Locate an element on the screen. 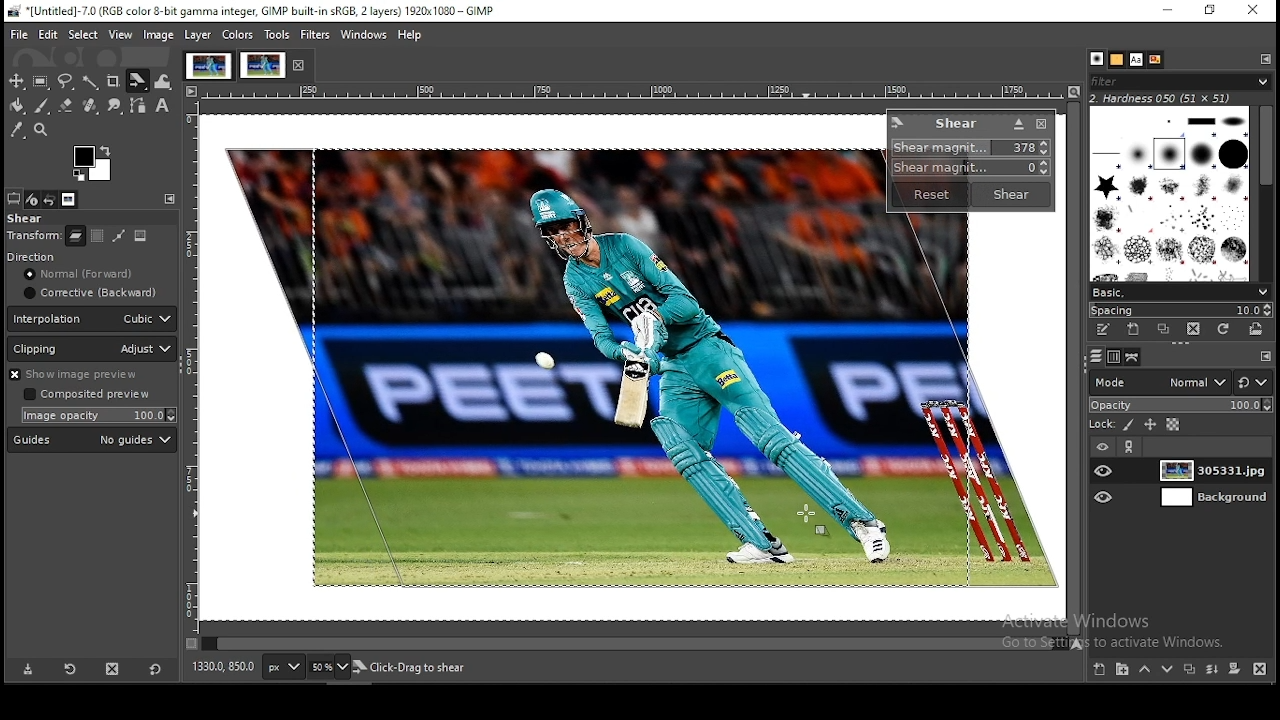  minimize is located at coordinates (1164, 12).